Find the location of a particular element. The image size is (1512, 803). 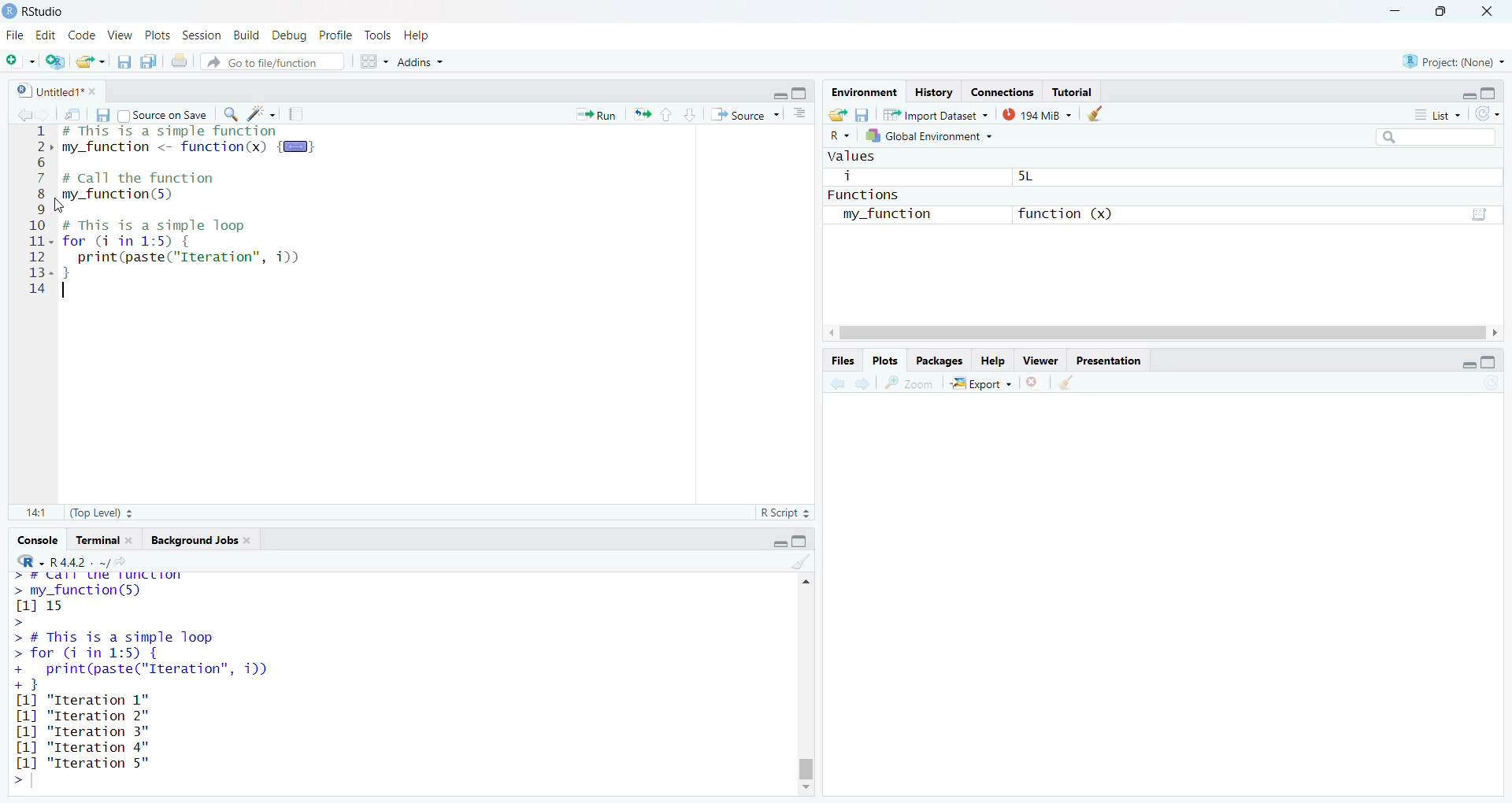

go forward to next source location is located at coordinates (46, 113).